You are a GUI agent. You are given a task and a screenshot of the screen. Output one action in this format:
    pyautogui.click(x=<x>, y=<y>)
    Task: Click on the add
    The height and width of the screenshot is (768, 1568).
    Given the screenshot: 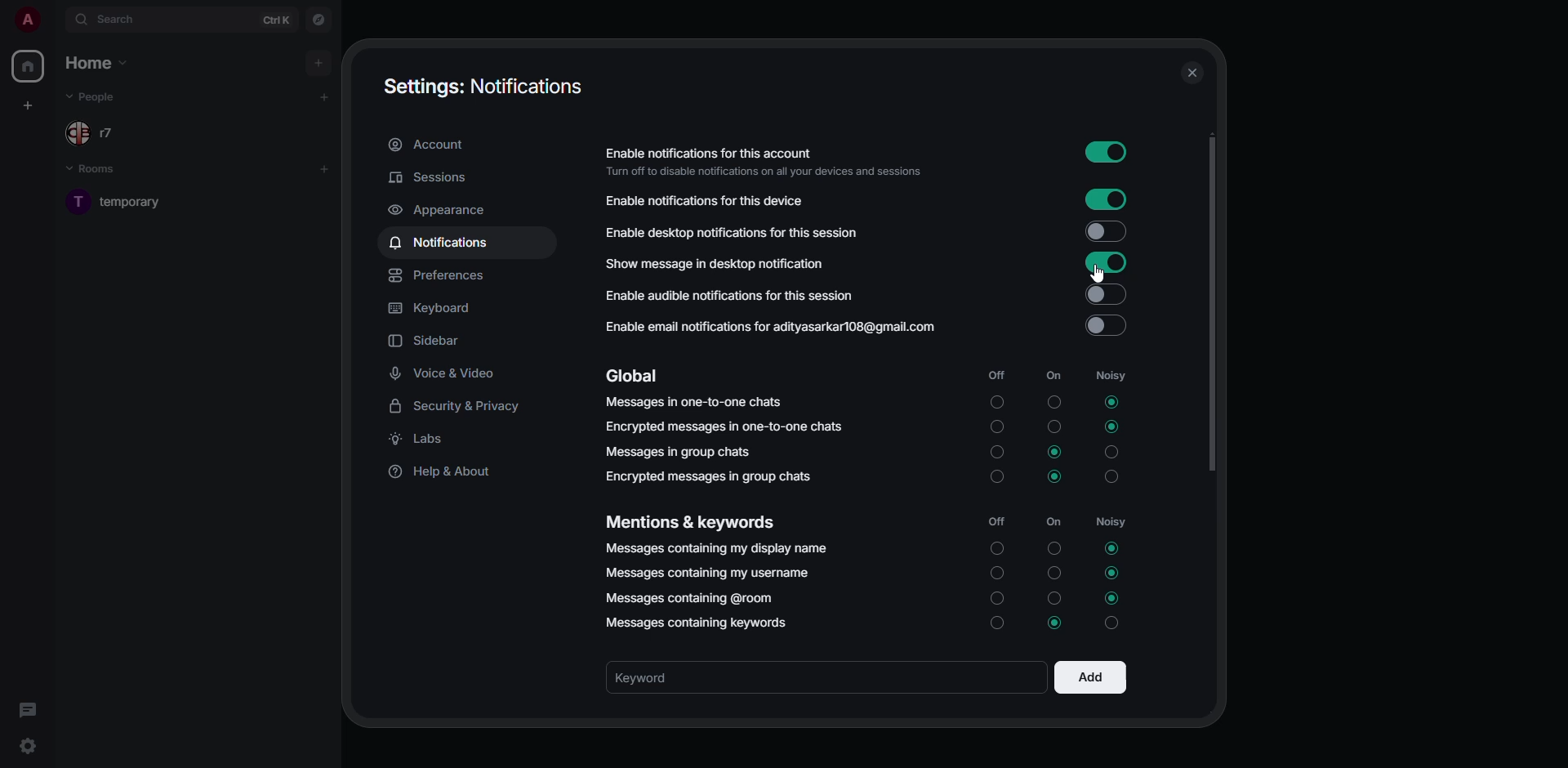 What is the action you would take?
    pyautogui.click(x=325, y=96)
    